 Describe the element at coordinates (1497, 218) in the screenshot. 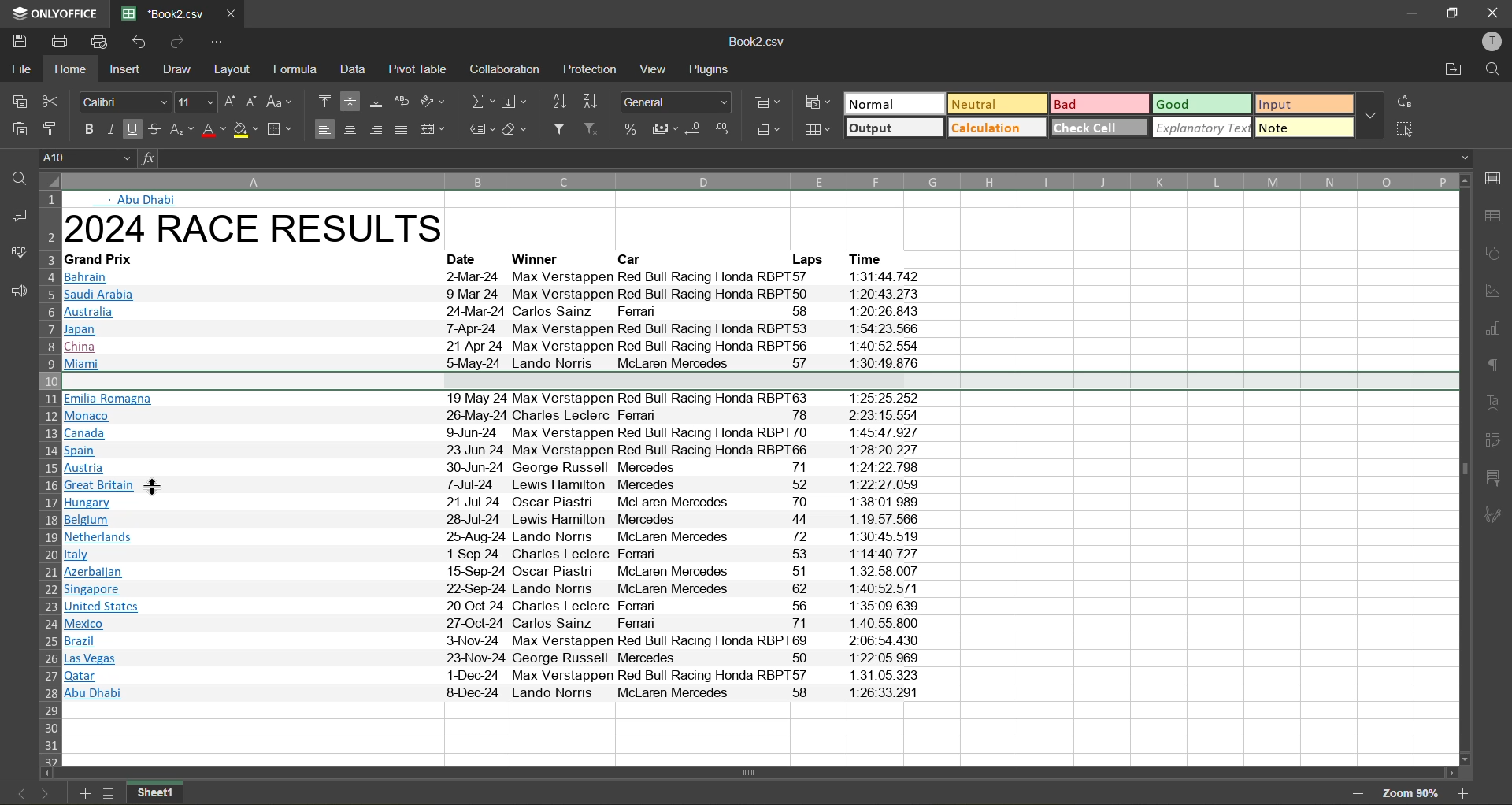

I see `table` at that location.